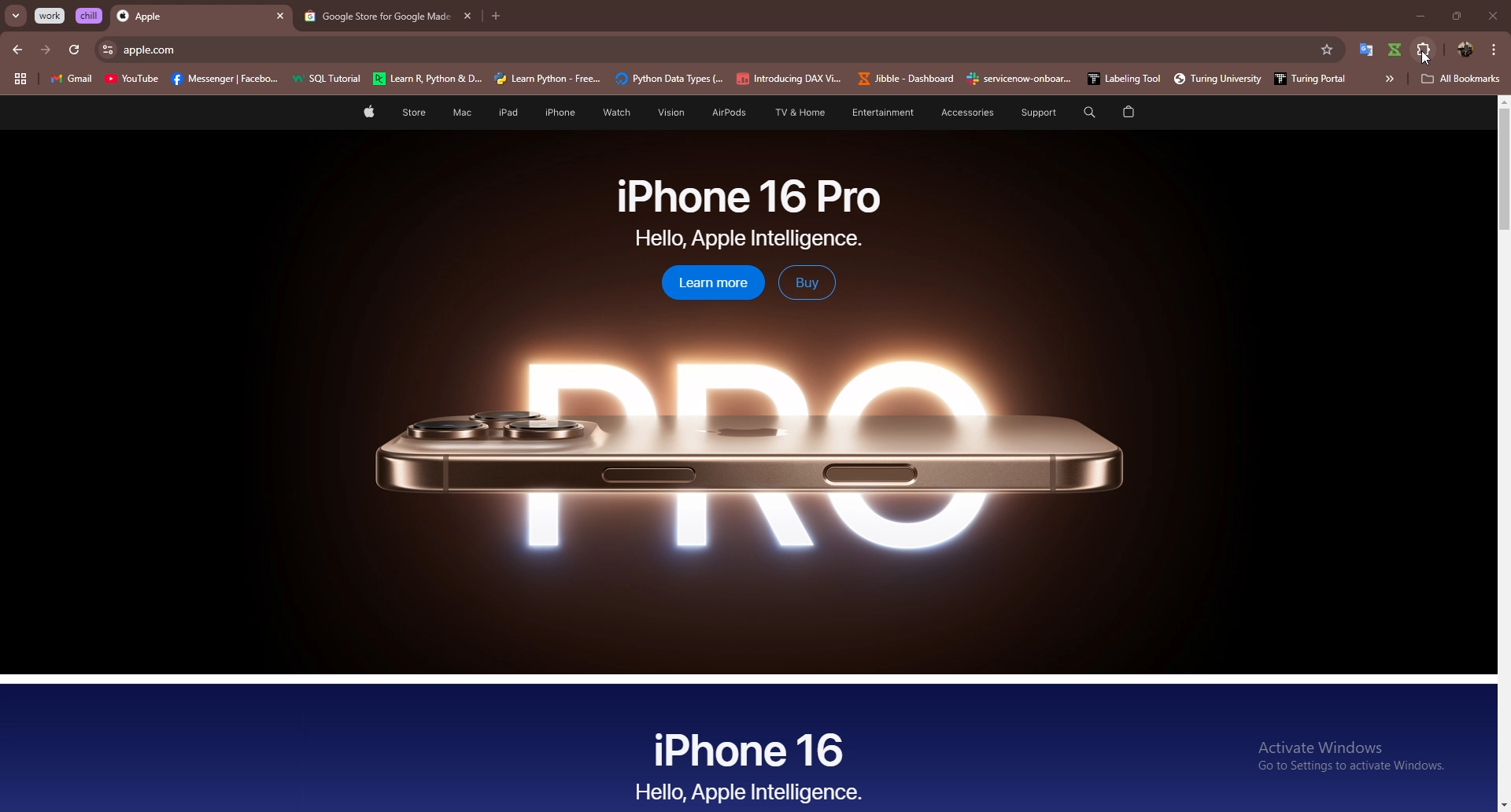 This screenshot has height=812, width=1511. I want to click on add tab, so click(497, 17).